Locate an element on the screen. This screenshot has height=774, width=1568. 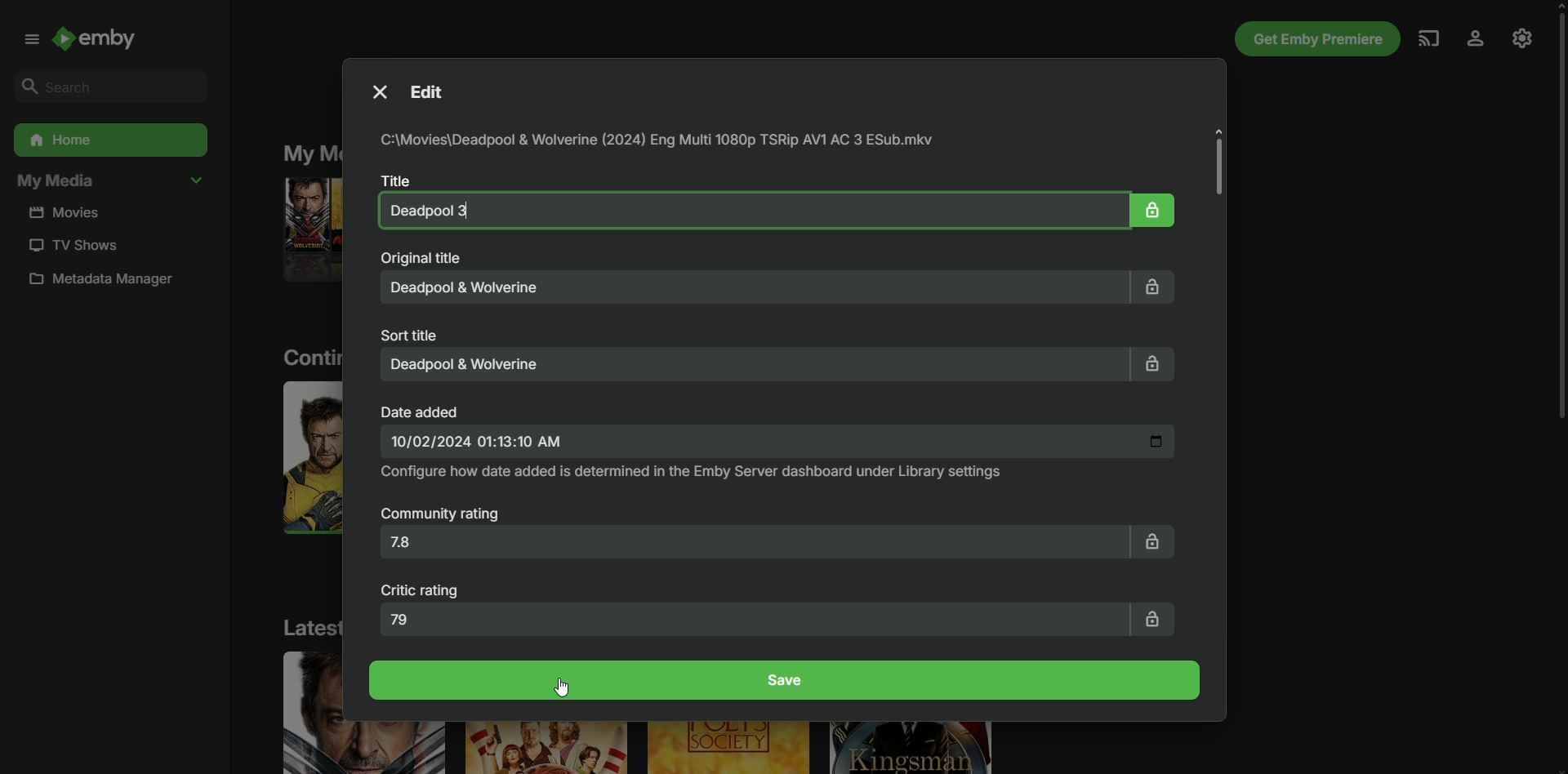
Date and Time is located at coordinates (777, 443).